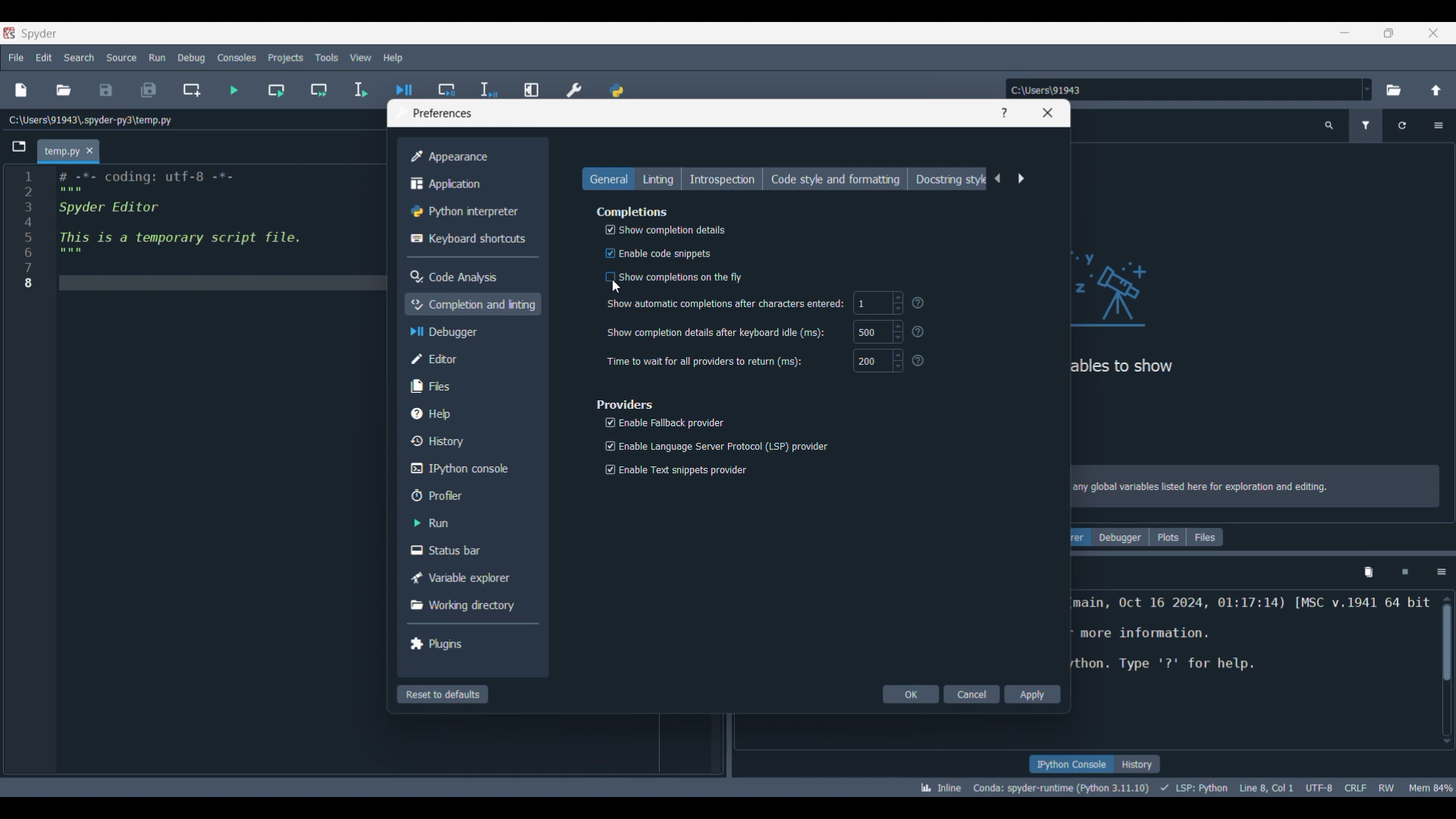 This screenshot has width=1456, height=819. What do you see at coordinates (676, 472) in the screenshot?
I see `Enable Text snippets provider` at bounding box center [676, 472].